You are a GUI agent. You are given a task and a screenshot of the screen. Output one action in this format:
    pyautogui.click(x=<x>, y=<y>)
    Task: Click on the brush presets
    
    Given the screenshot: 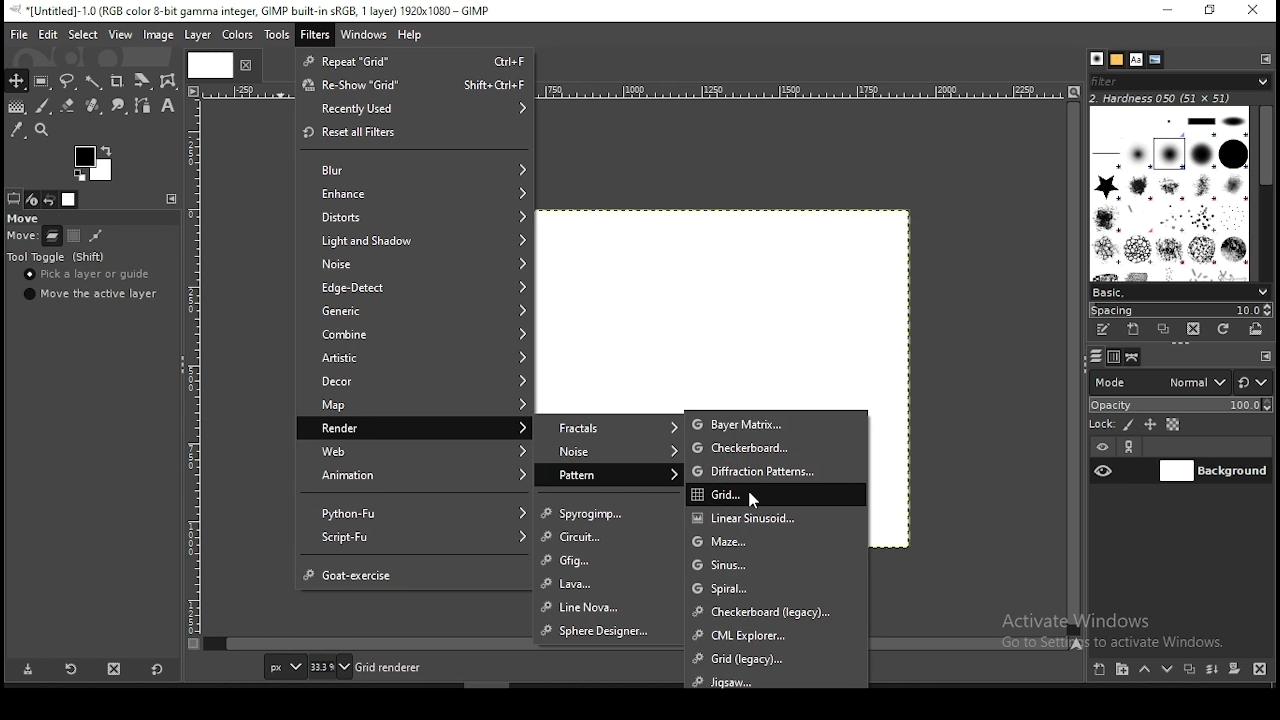 What is the action you would take?
    pyautogui.click(x=1180, y=293)
    